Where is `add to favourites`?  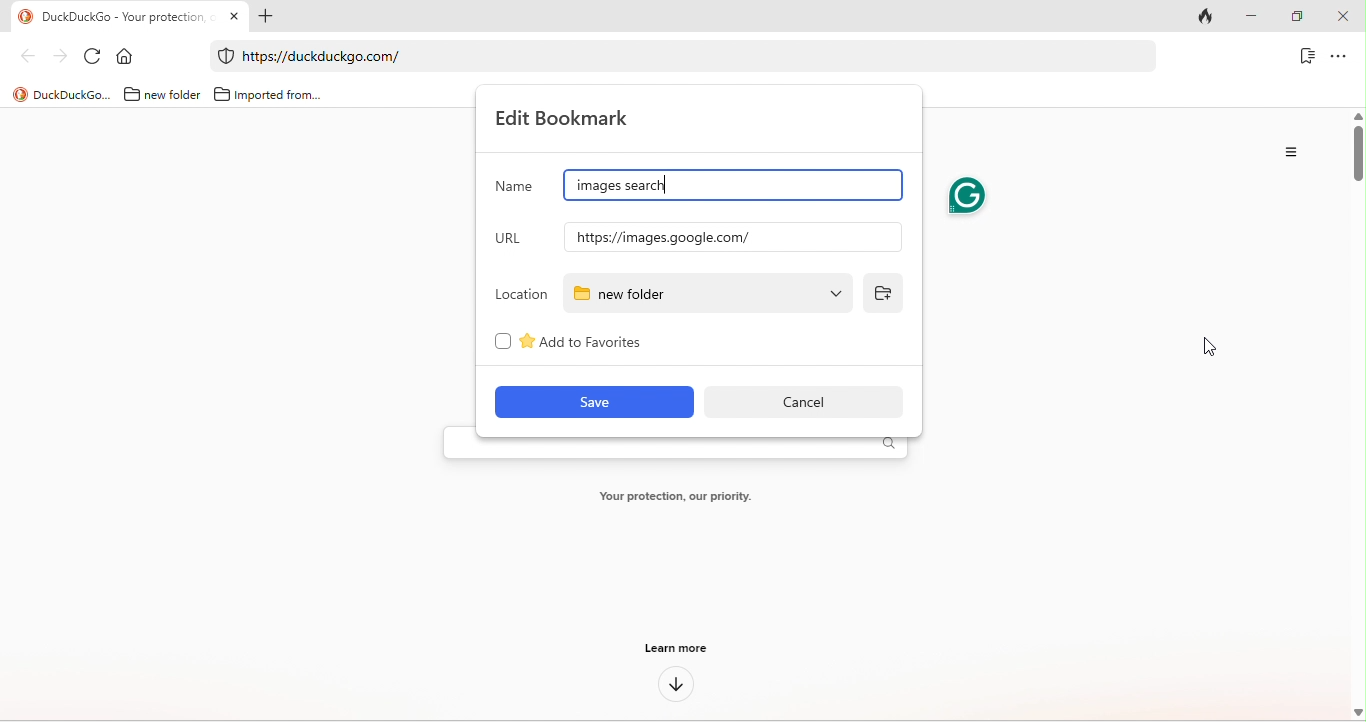
add to favourites is located at coordinates (616, 345).